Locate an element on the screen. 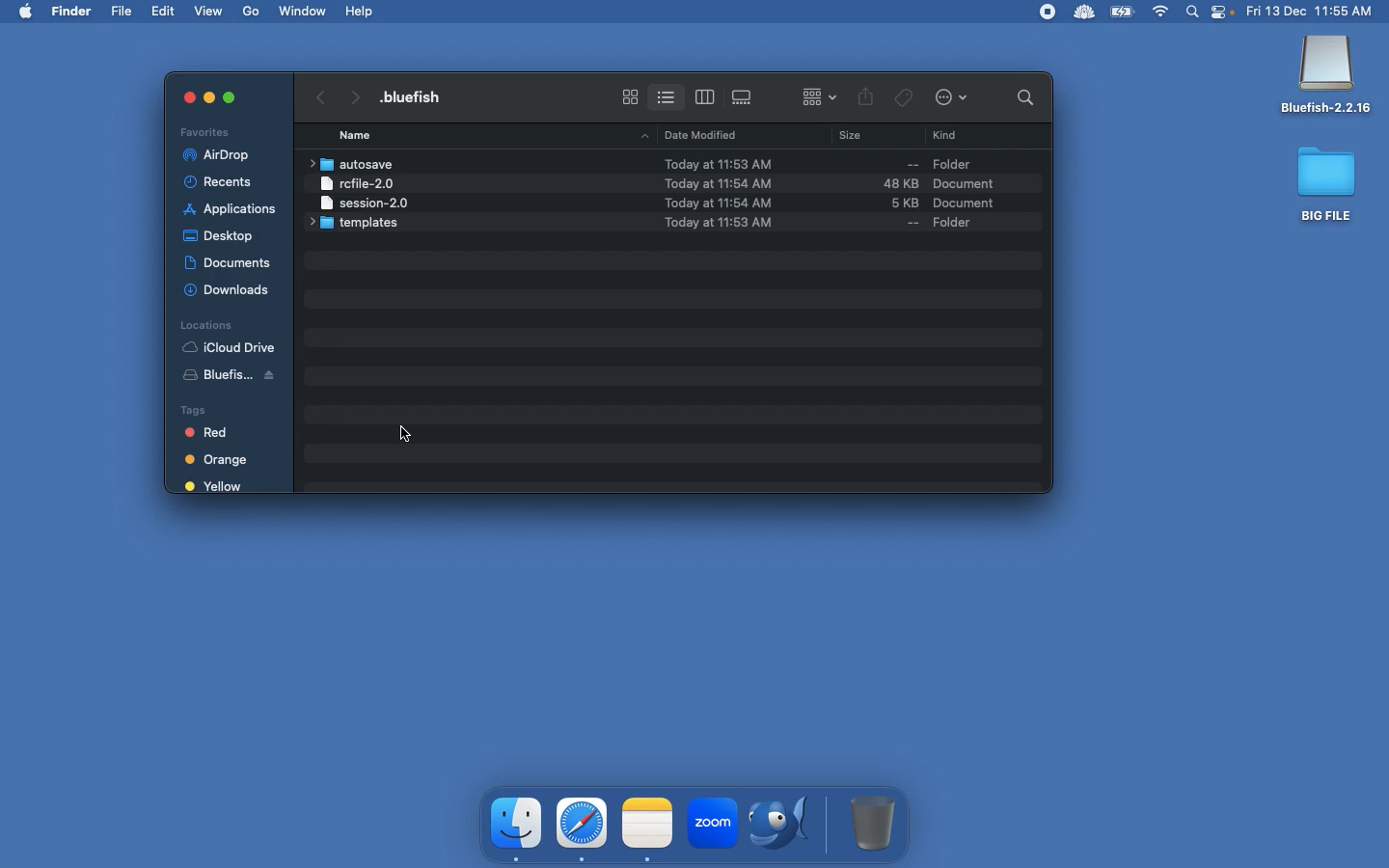 The width and height of the screenshot is (1389, 868). Name is located at coordinates (419, 96).